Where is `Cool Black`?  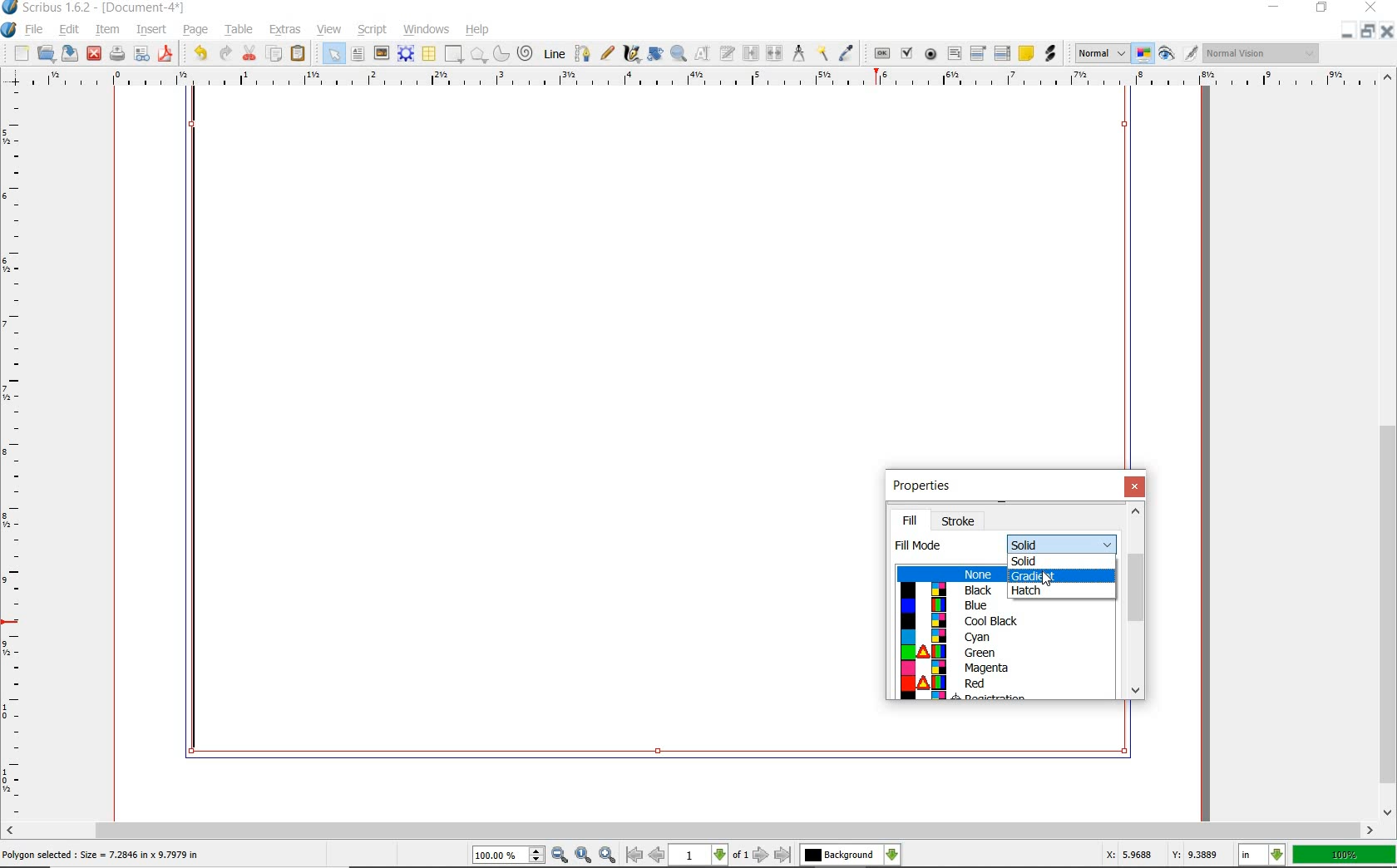
Cool Black is located at coordinates (1003, 621).